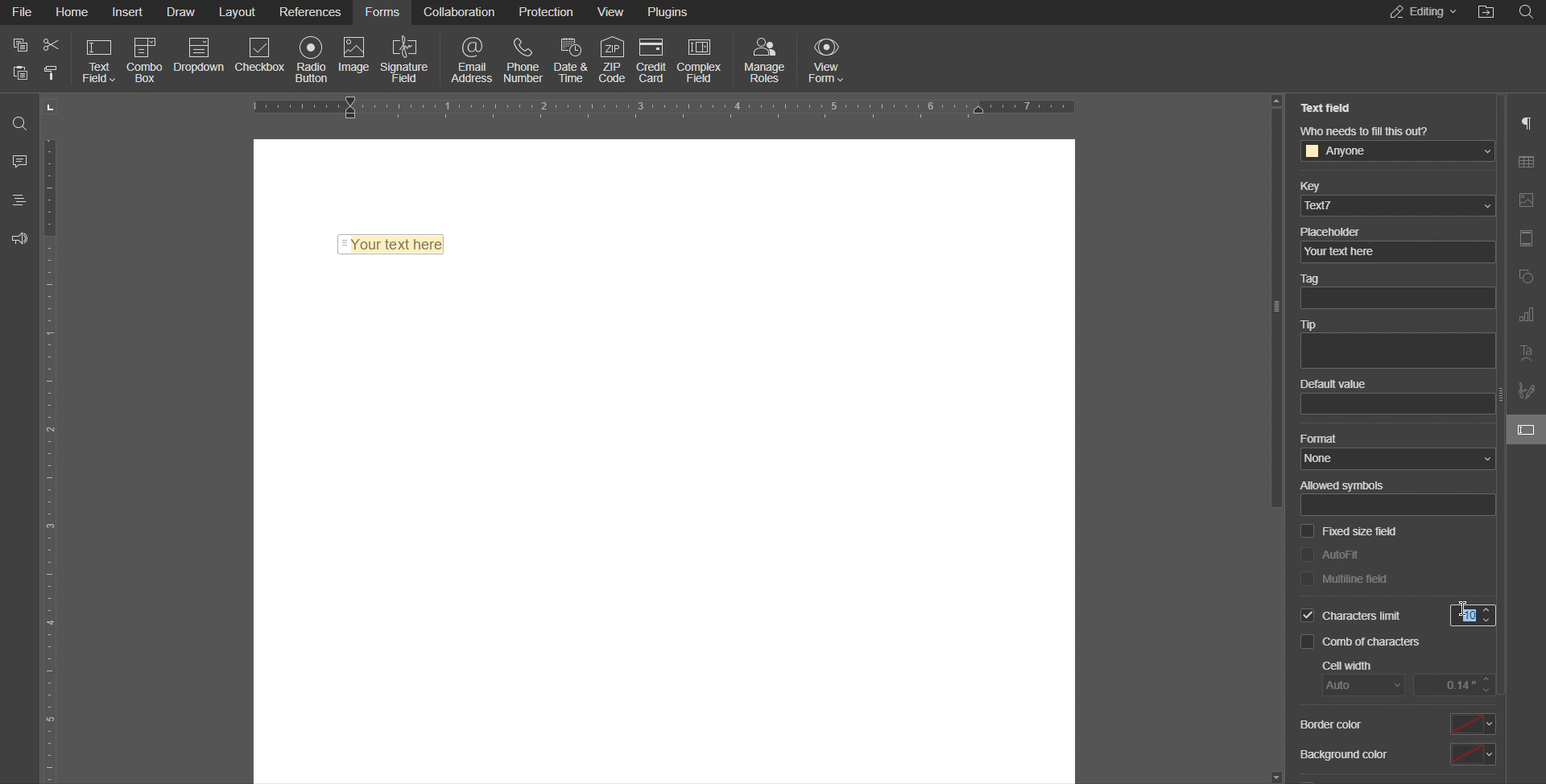 This screenshot has height=784, width=1546. Describe the element at coordinates (1329, 553) in the screenshot. I see `AutoFit` at that location.